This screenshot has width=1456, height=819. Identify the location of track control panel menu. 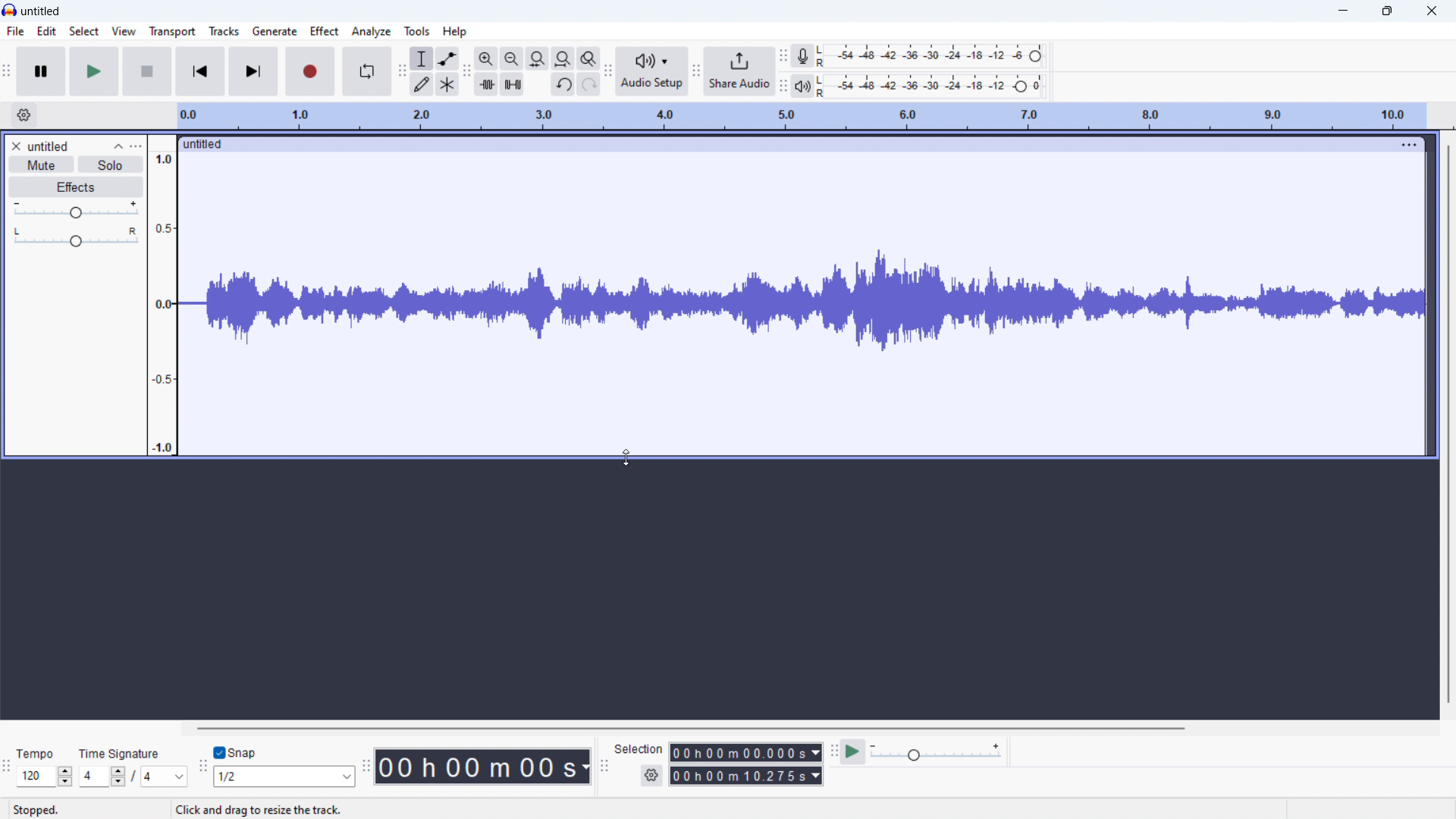
(136, 146).